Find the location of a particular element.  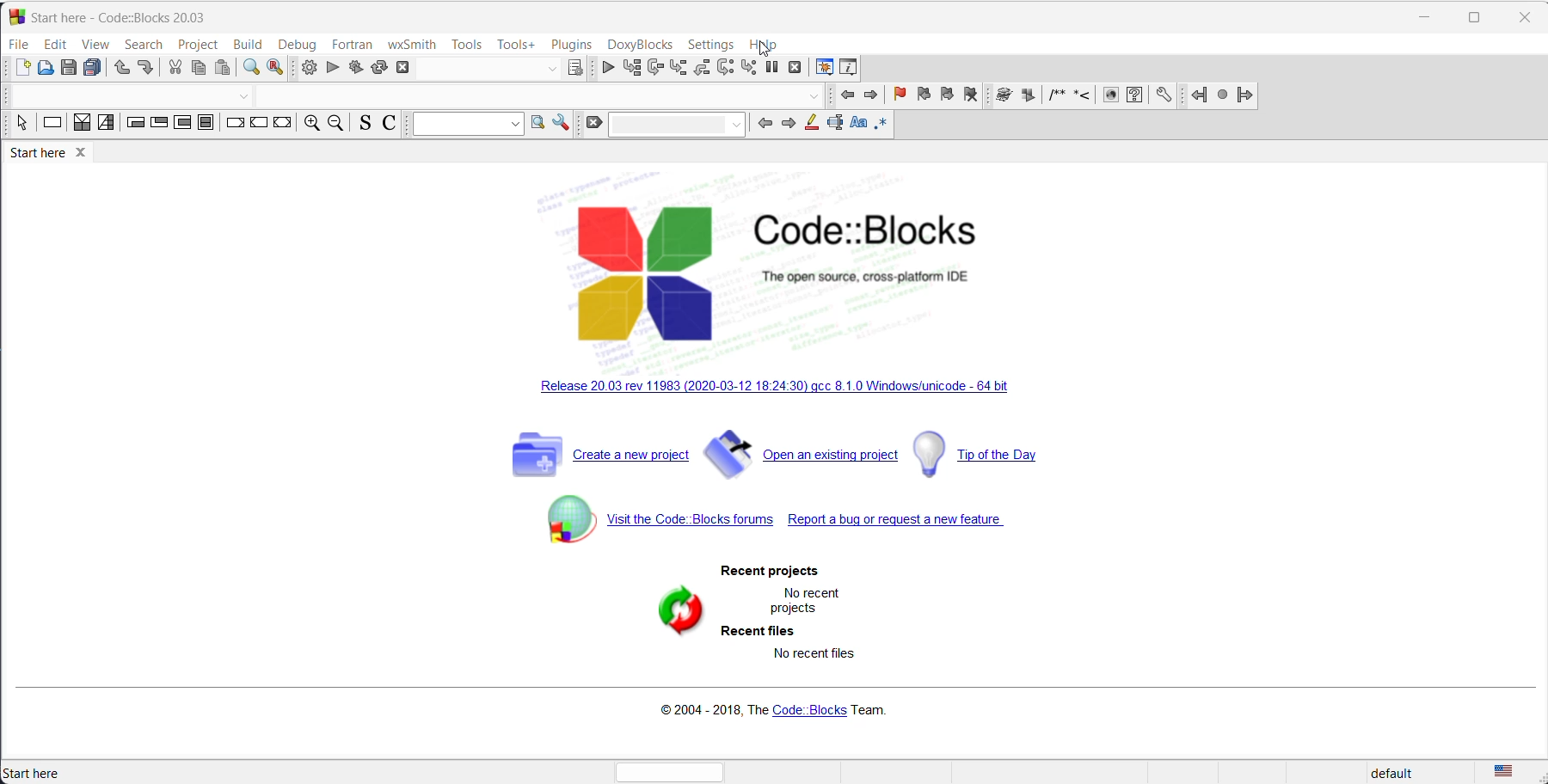

minimize is located at coordinates (1425, 15).